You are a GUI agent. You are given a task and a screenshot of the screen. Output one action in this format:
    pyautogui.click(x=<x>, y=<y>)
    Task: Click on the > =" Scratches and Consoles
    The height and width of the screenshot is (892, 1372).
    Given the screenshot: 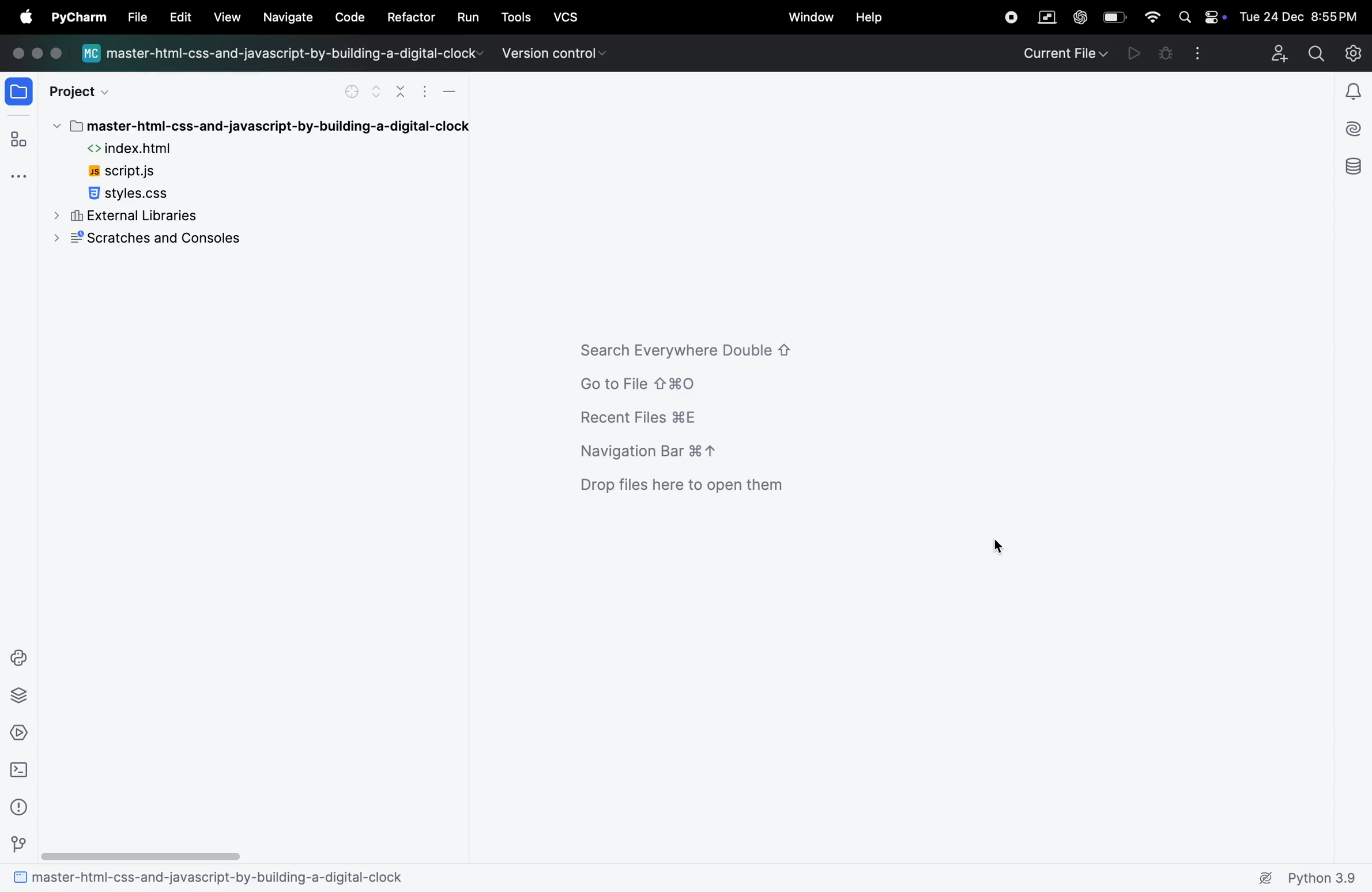 What is the action you would take?
    pyautogui.click(x=164, y=240)
    